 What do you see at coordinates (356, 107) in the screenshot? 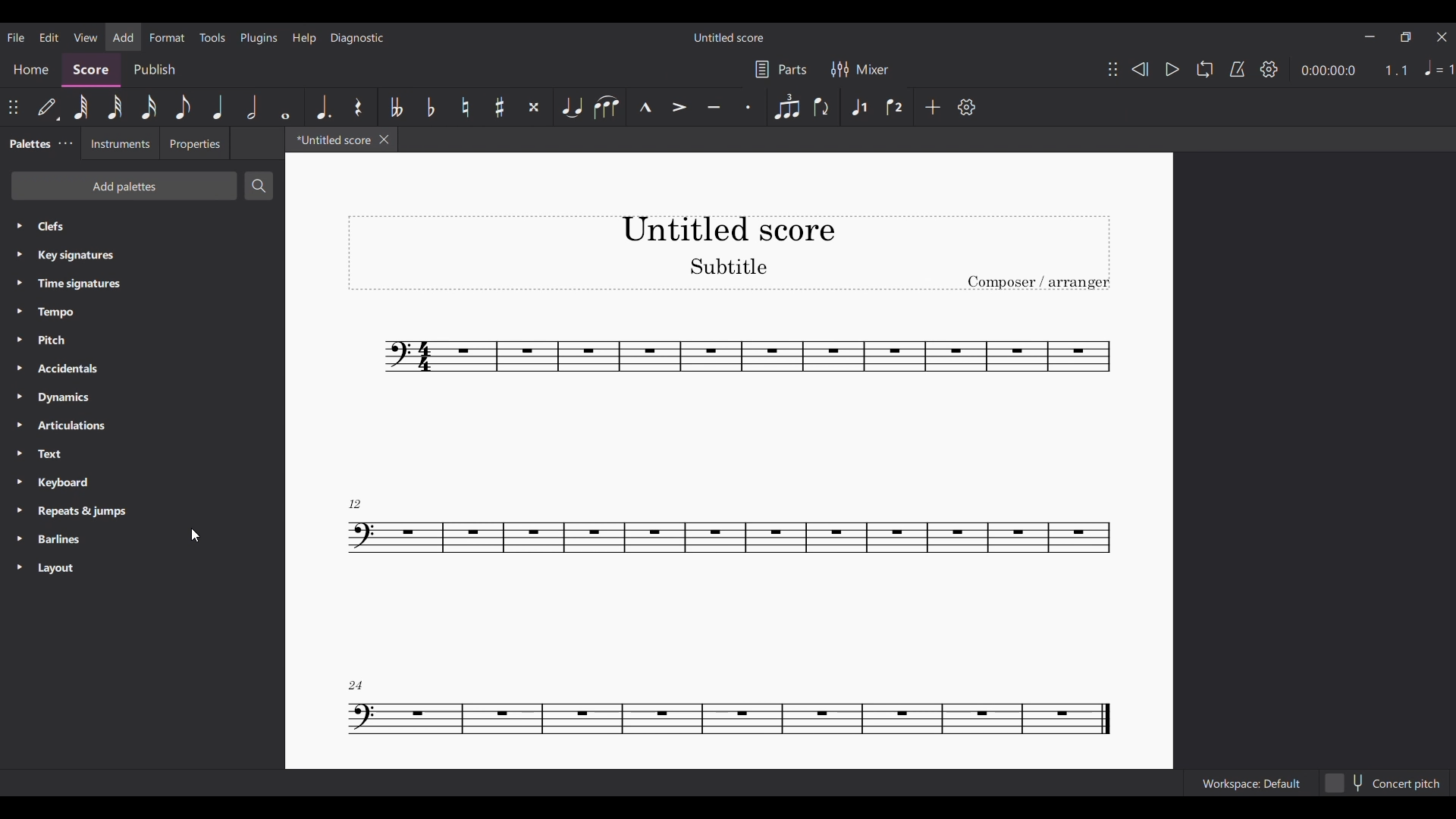
I see `t` at bounding box center [356, 107].